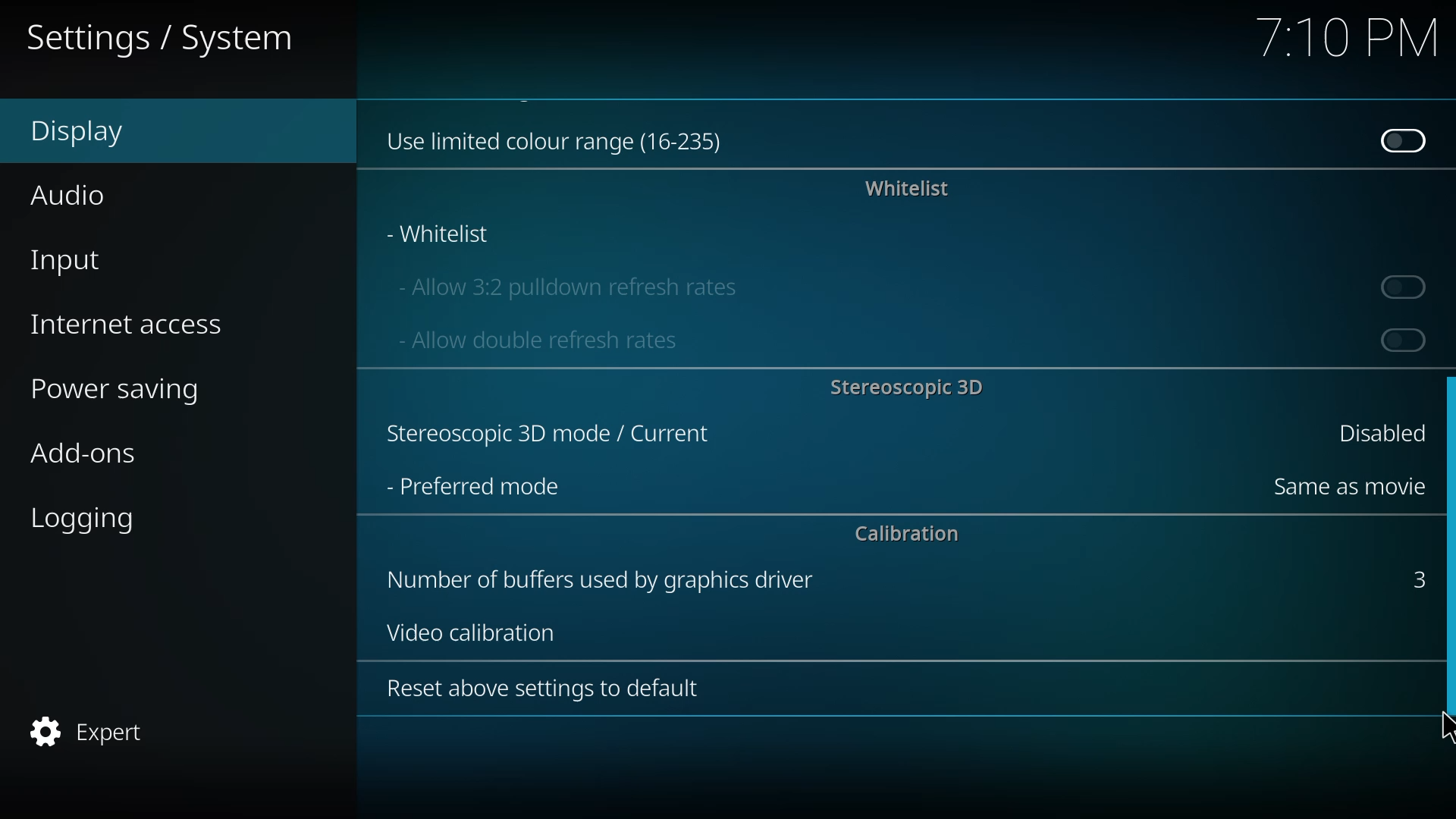 This screenshot has height=819, width=1456. What do you see at coordinates (441, 234) in the screenshot?
I see `whitelist` at bounding box center [441, 234].